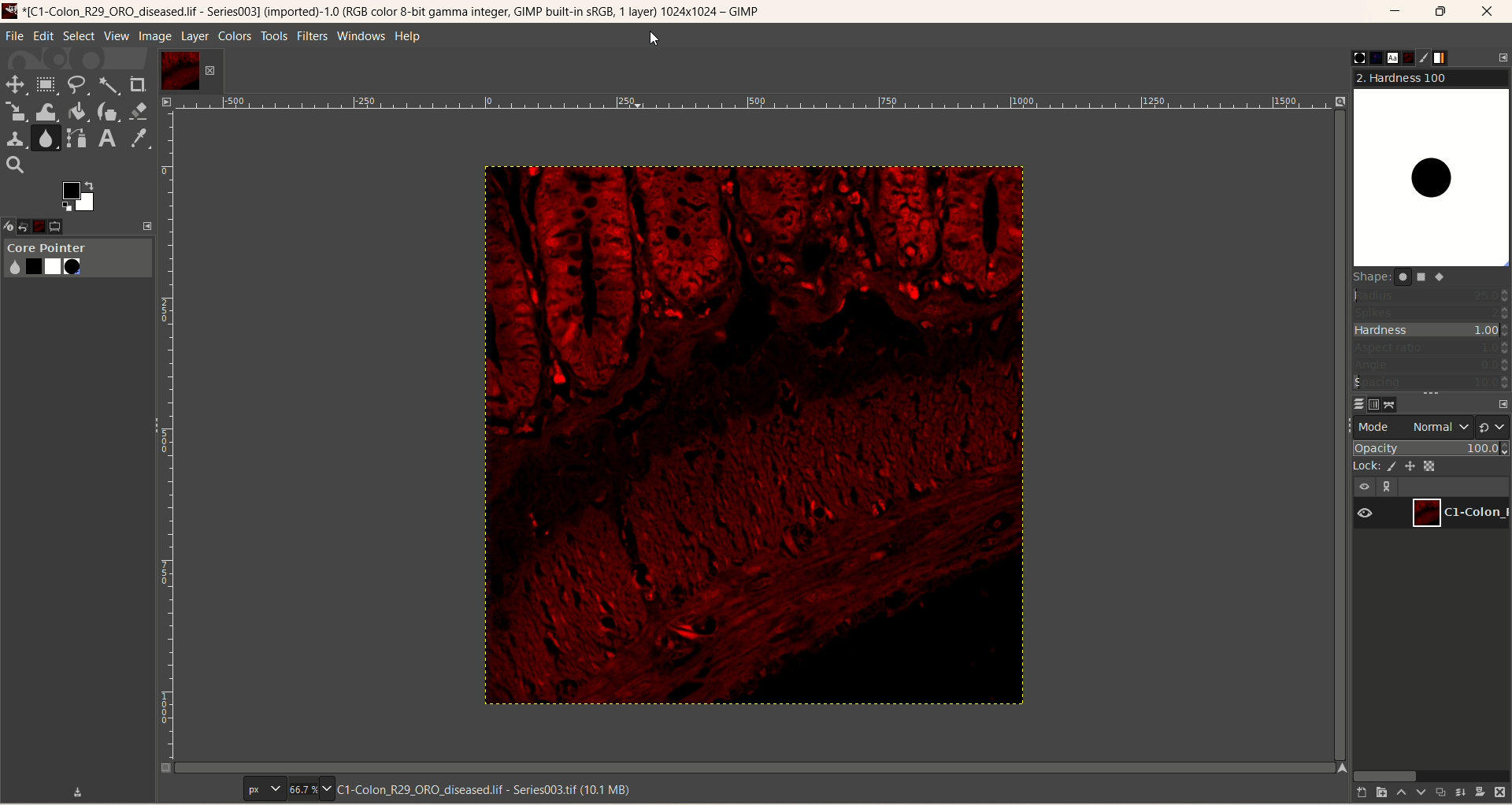 The width and height of the screenshot is (1512, 805). I want to click on mode, so click(1376, 426).